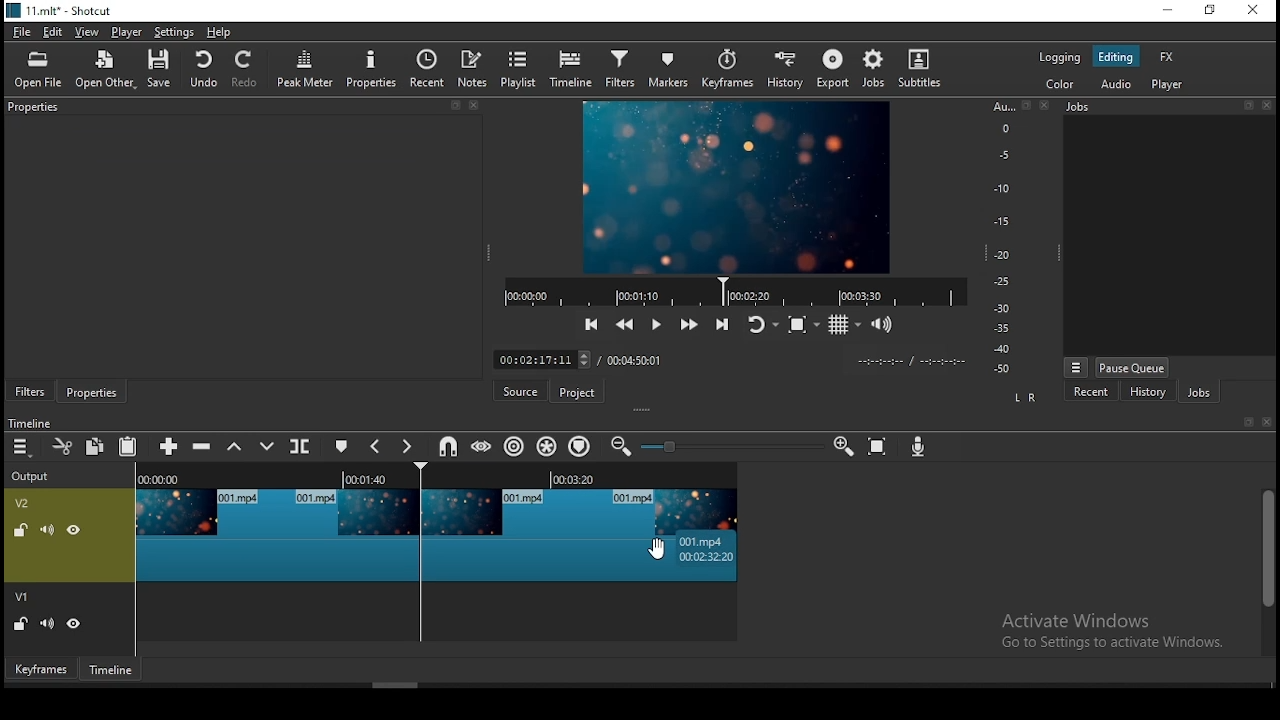  Describe the element at coordinates (523, 391) in the screenshot. I see `source` at that location.